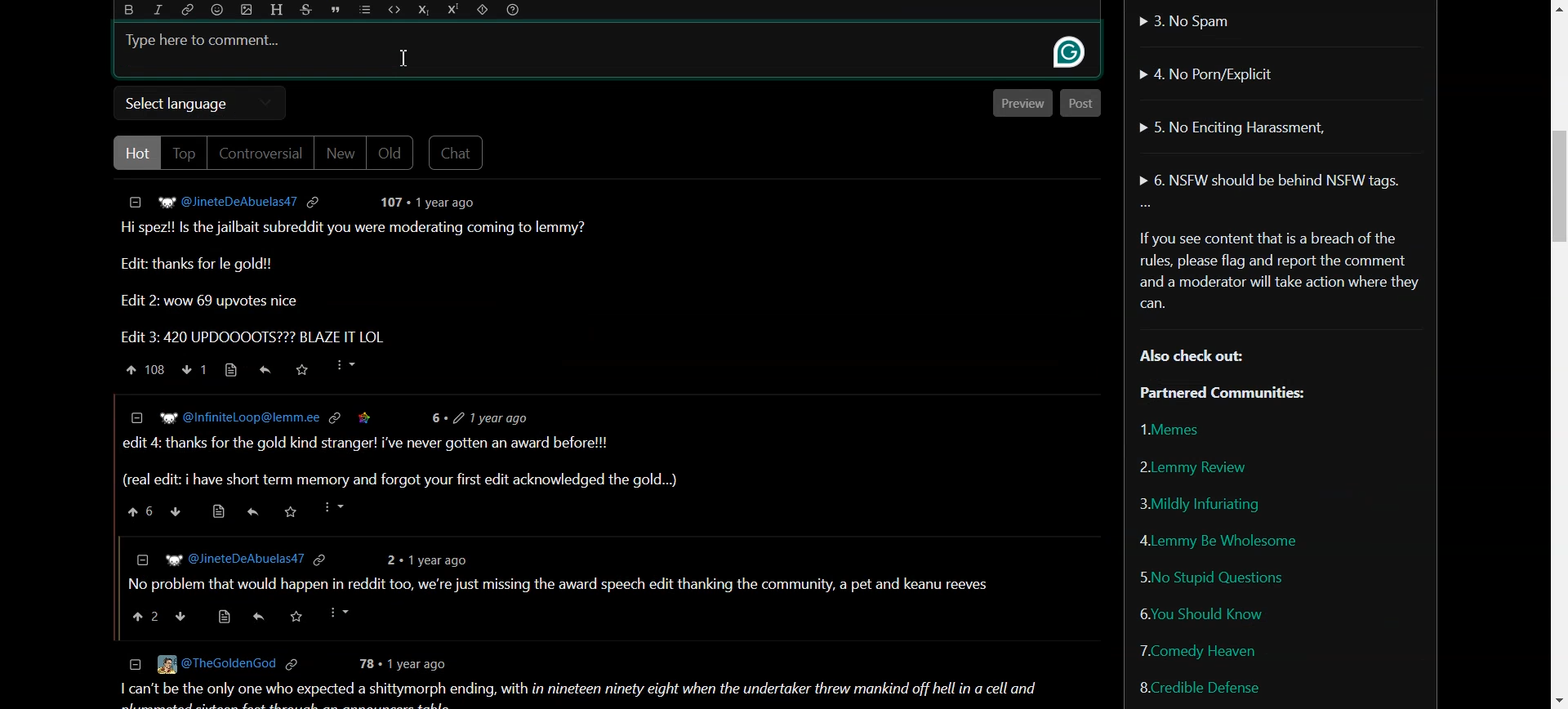 This screenshot has width=1568, height=709. What do you see at coordinates (456, 154) in the screenshot?
I see `Chat` at bounding box center [456, 154].